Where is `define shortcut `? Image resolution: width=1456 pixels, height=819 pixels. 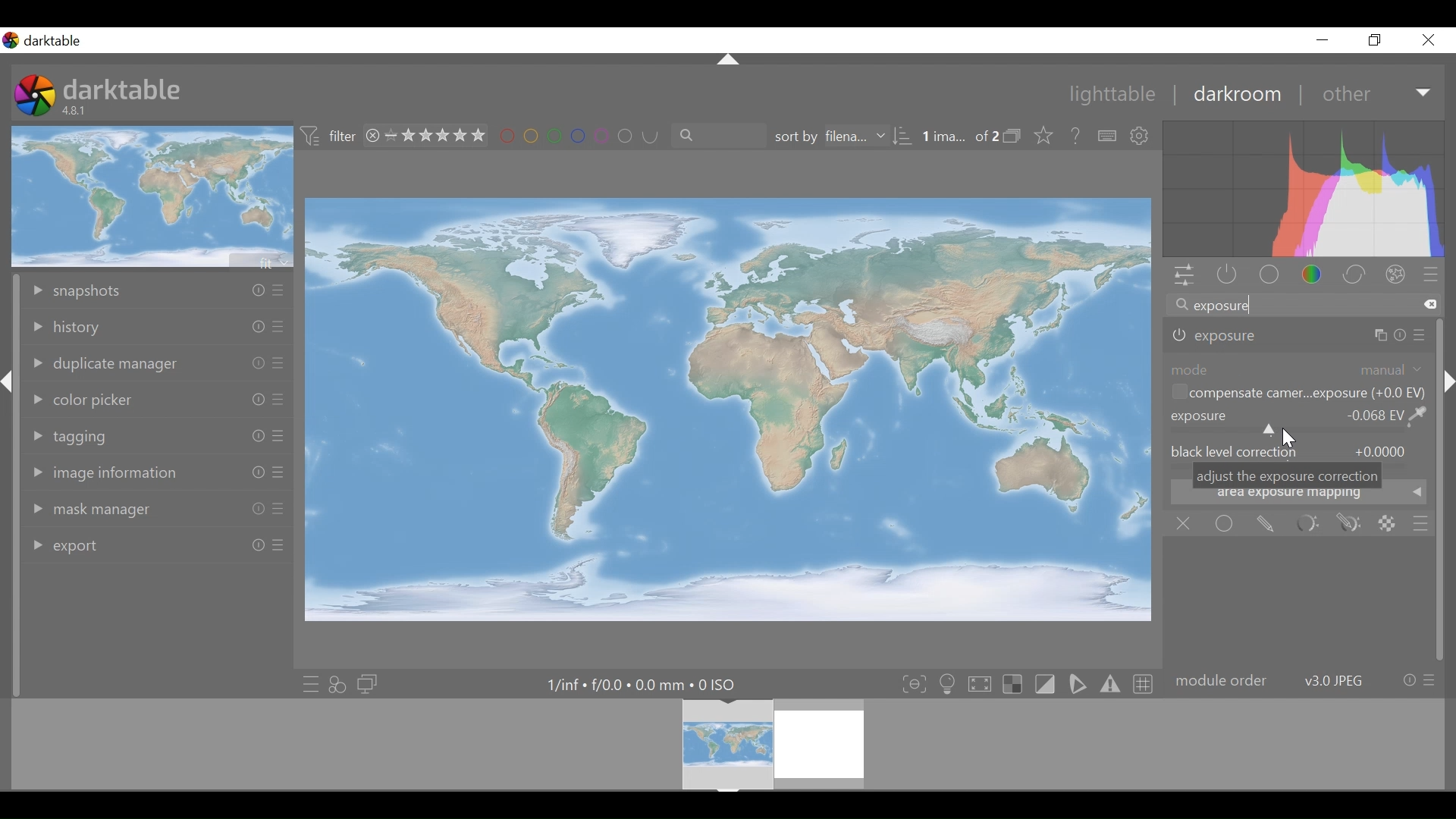 define shortcut  is located at coordinates (1105, 136).